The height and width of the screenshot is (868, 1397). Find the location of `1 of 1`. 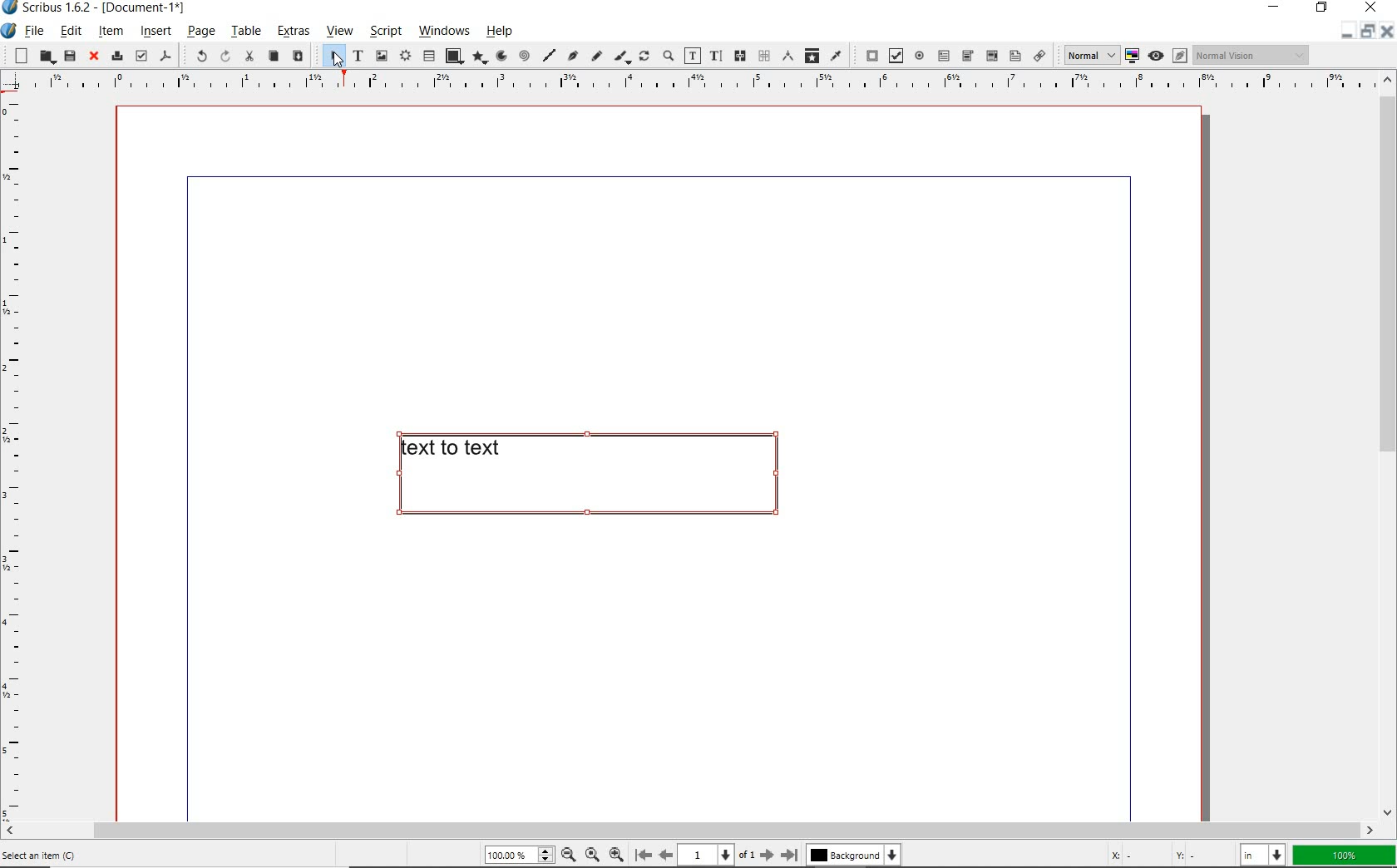

1 of 1 is located at coordinates (716, 855).